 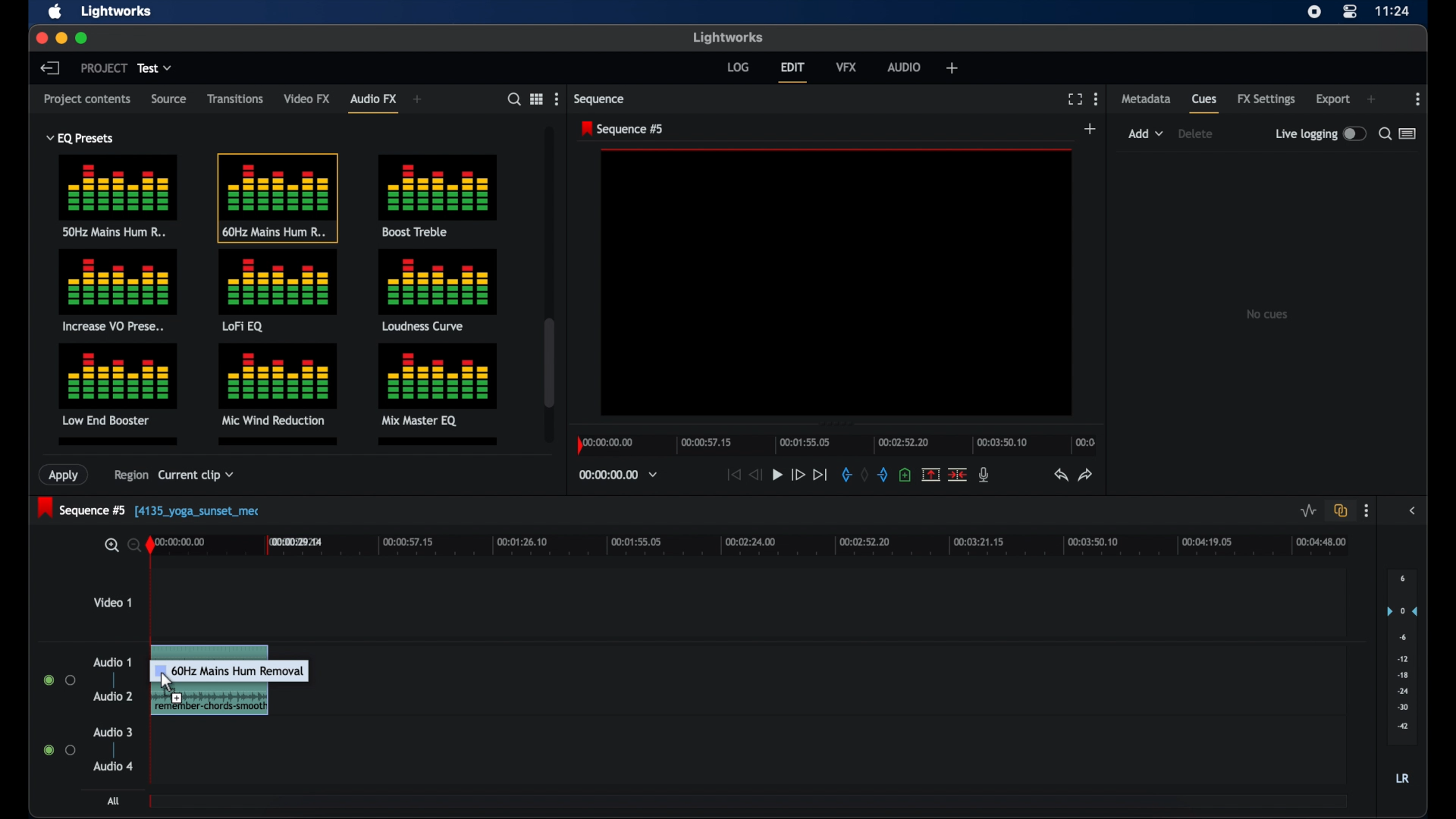 What do you see at coordinates (1195, 133) in the screenshot?
I see `delete` at bounding box center [1195, 133].